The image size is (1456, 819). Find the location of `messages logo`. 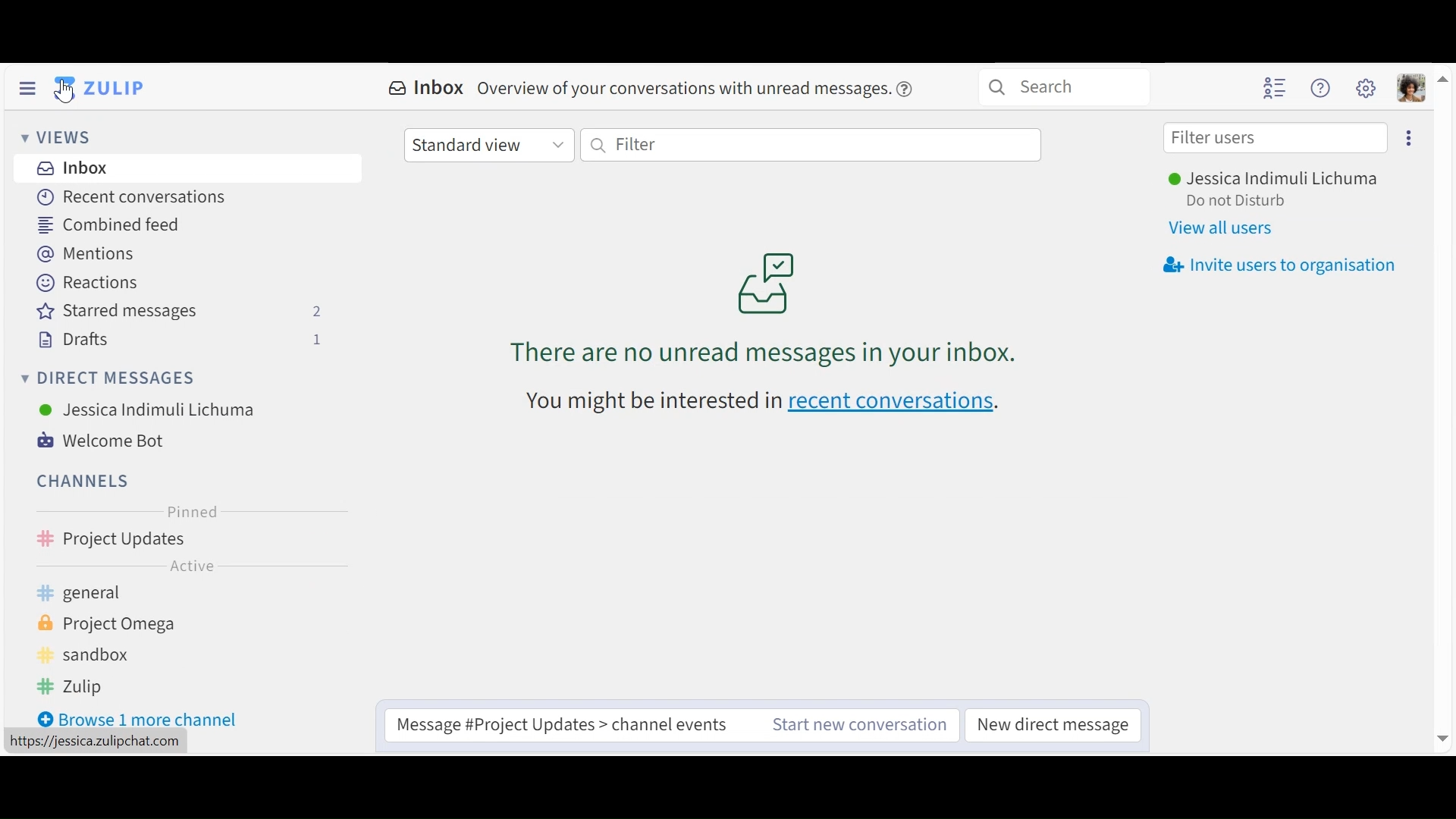

messages logo is located at coordinates (770, 279).